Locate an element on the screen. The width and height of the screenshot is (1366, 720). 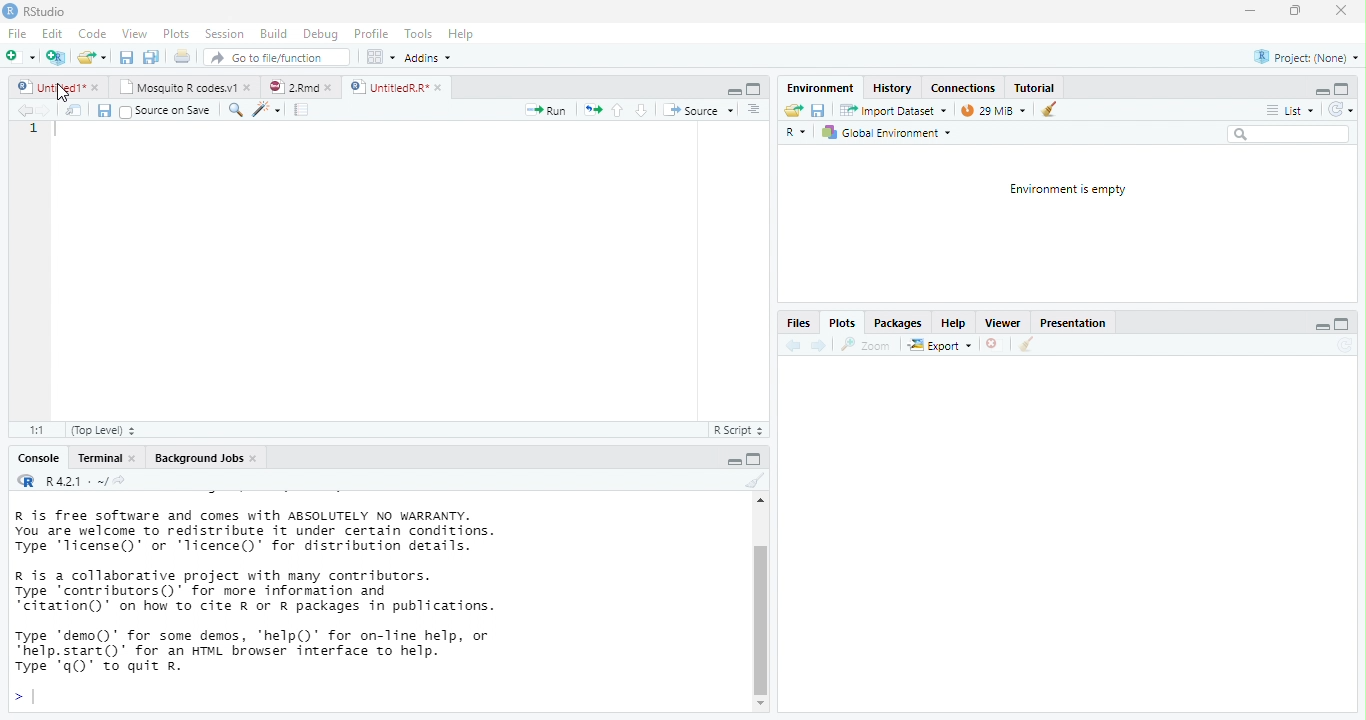
Debug is located at coordinates (320, 34).